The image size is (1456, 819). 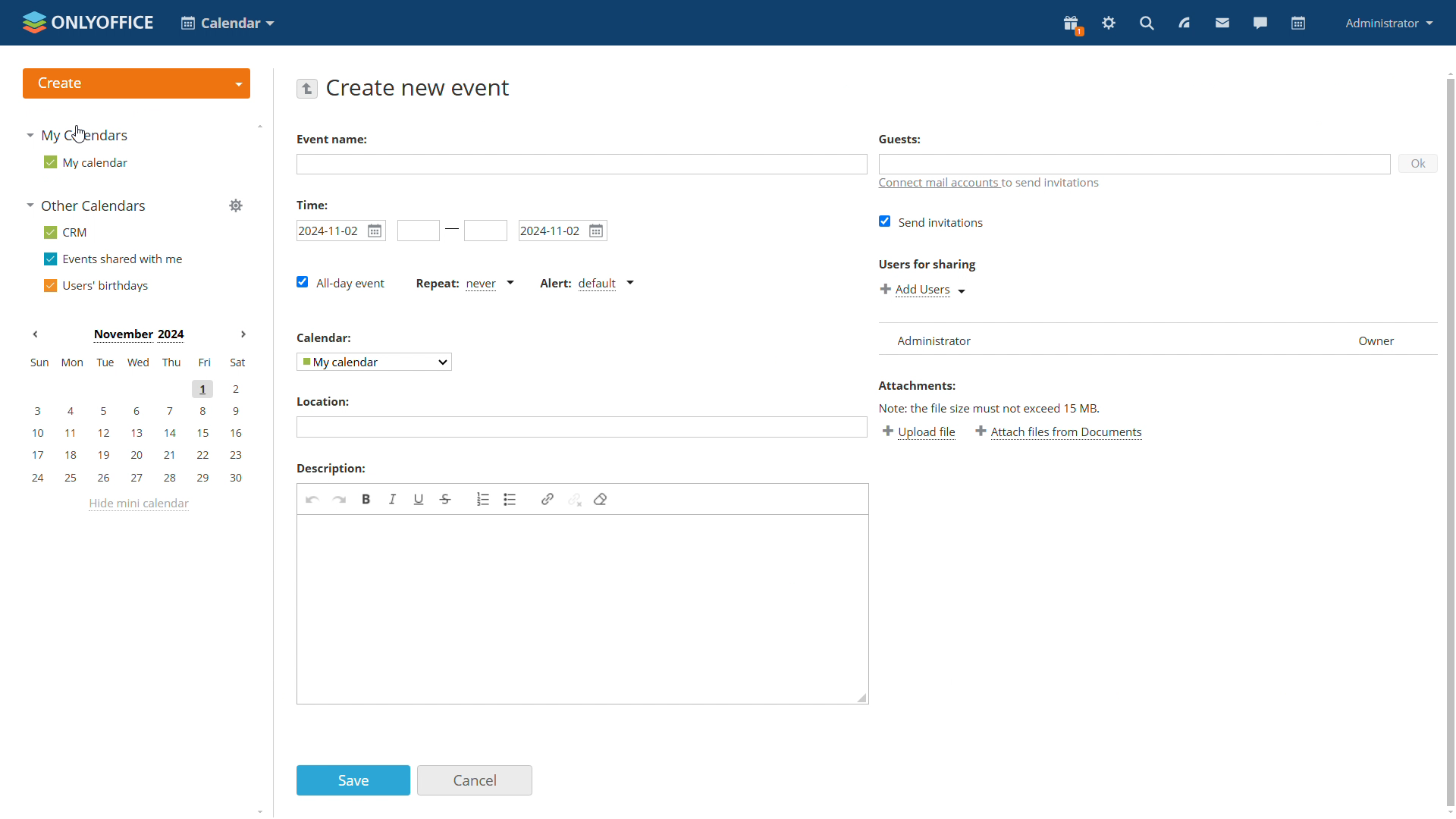 I want to click on Attachments, so click(x=917, y=385).